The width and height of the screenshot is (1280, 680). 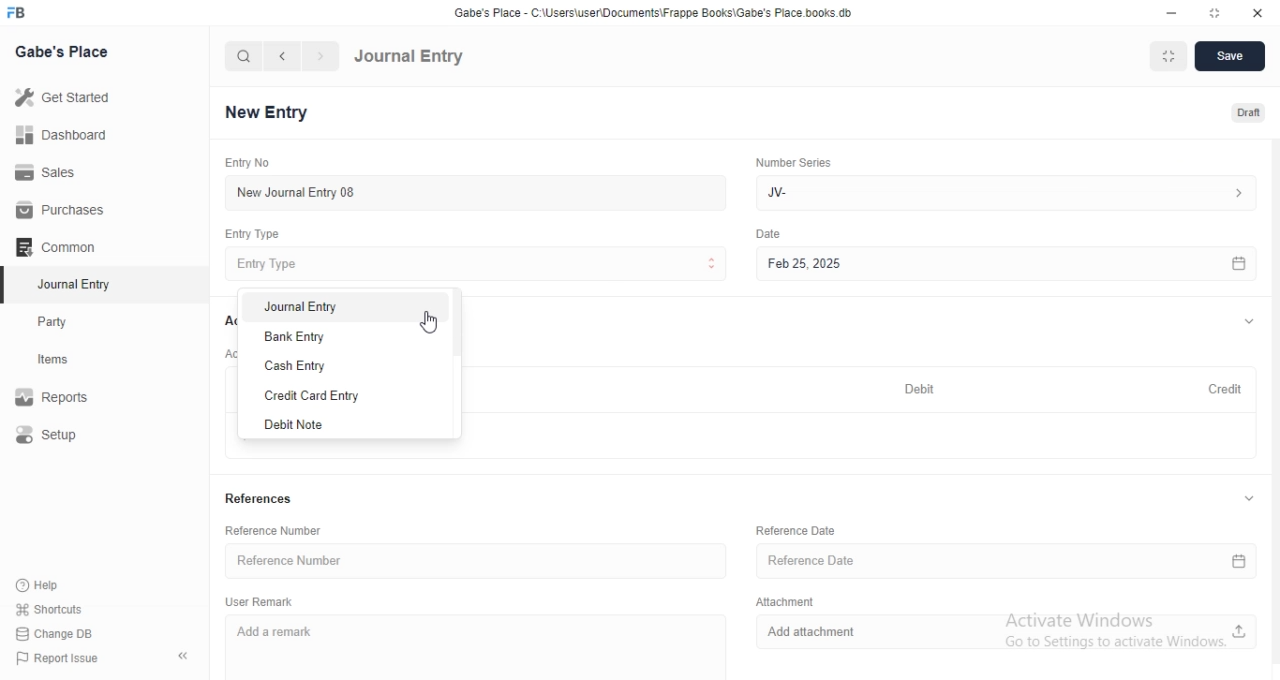 What do you see at coordinates (1004, 561) in the screenshot?
I see `Reference Date` at bounding box center [1004, 561].